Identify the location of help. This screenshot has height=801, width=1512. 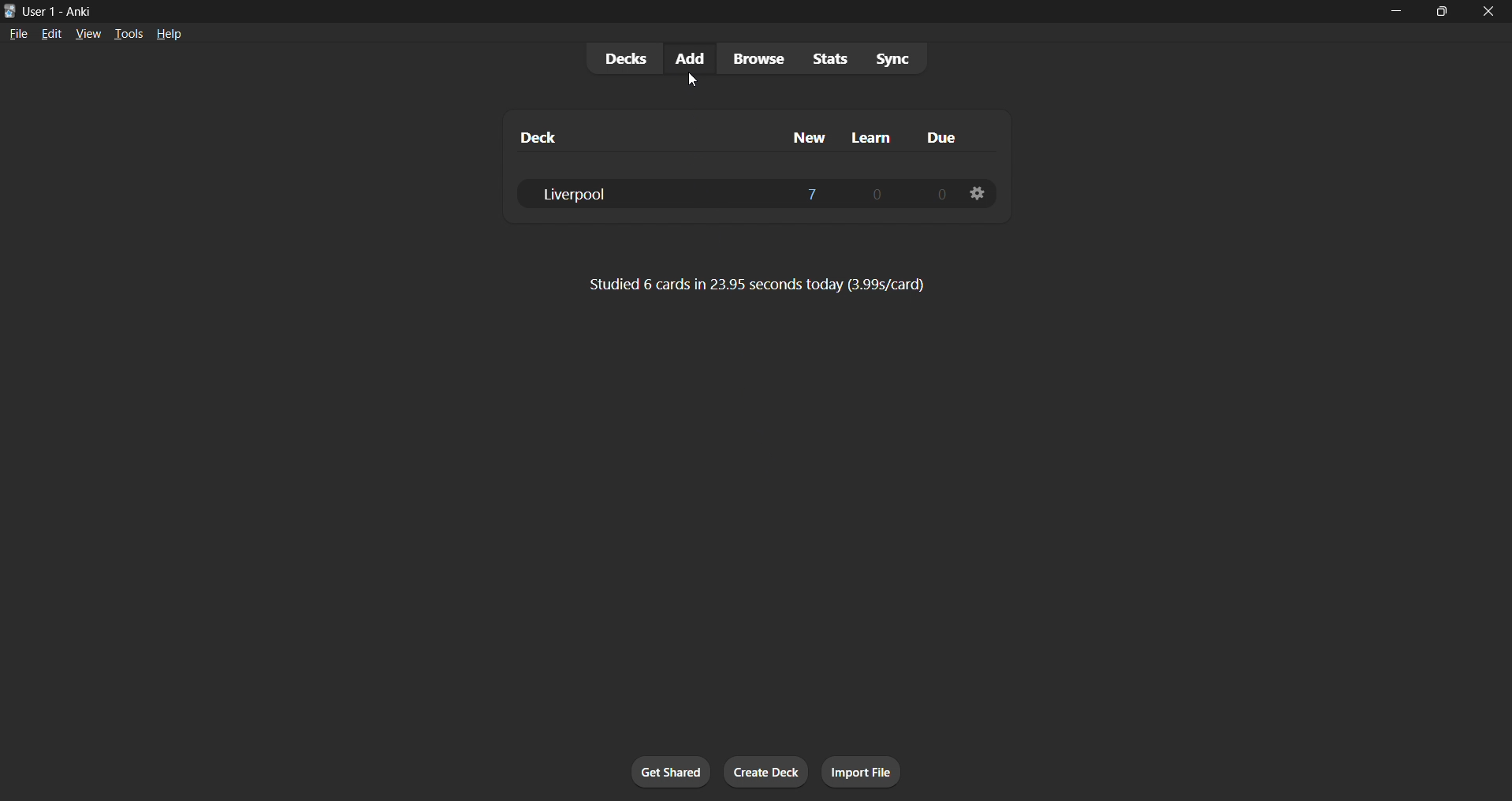
(171, 32).